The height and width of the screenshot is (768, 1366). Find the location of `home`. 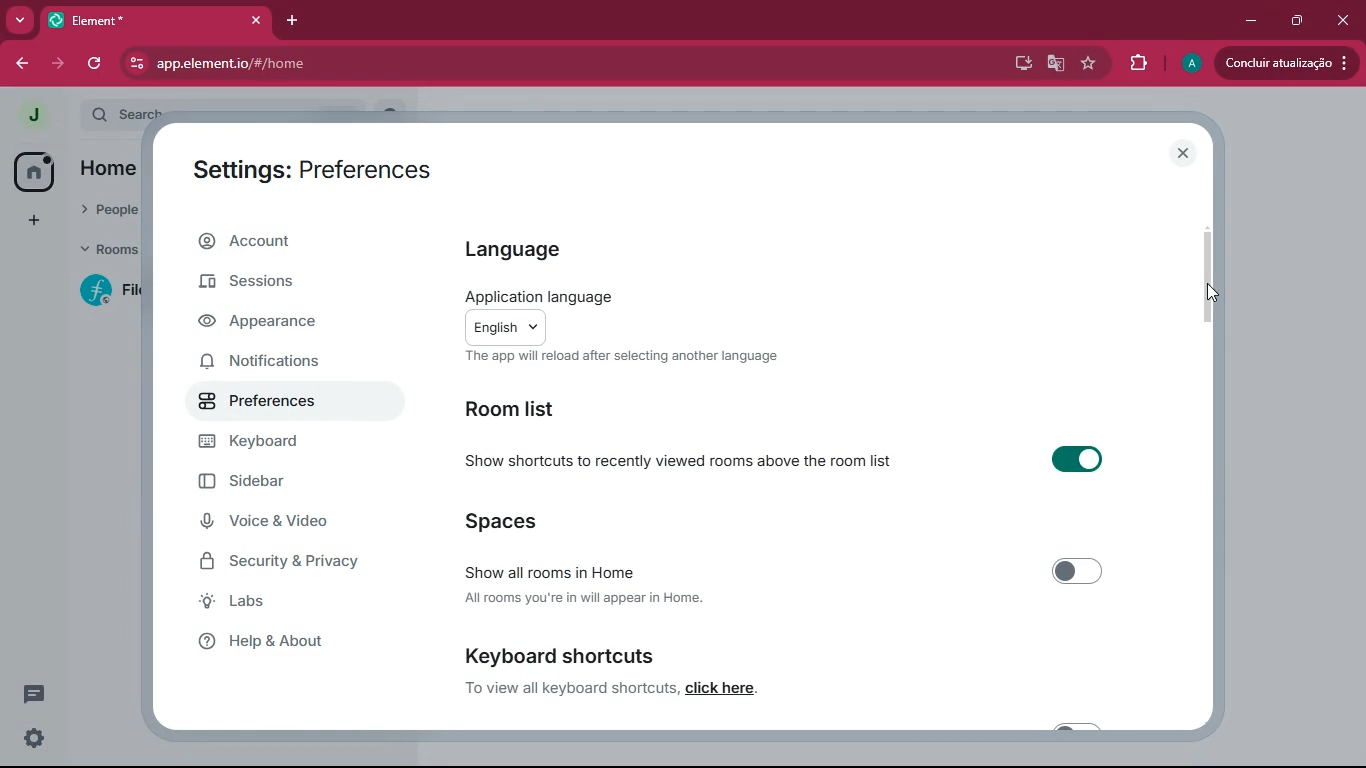

home is located at coordinates (32, 172).